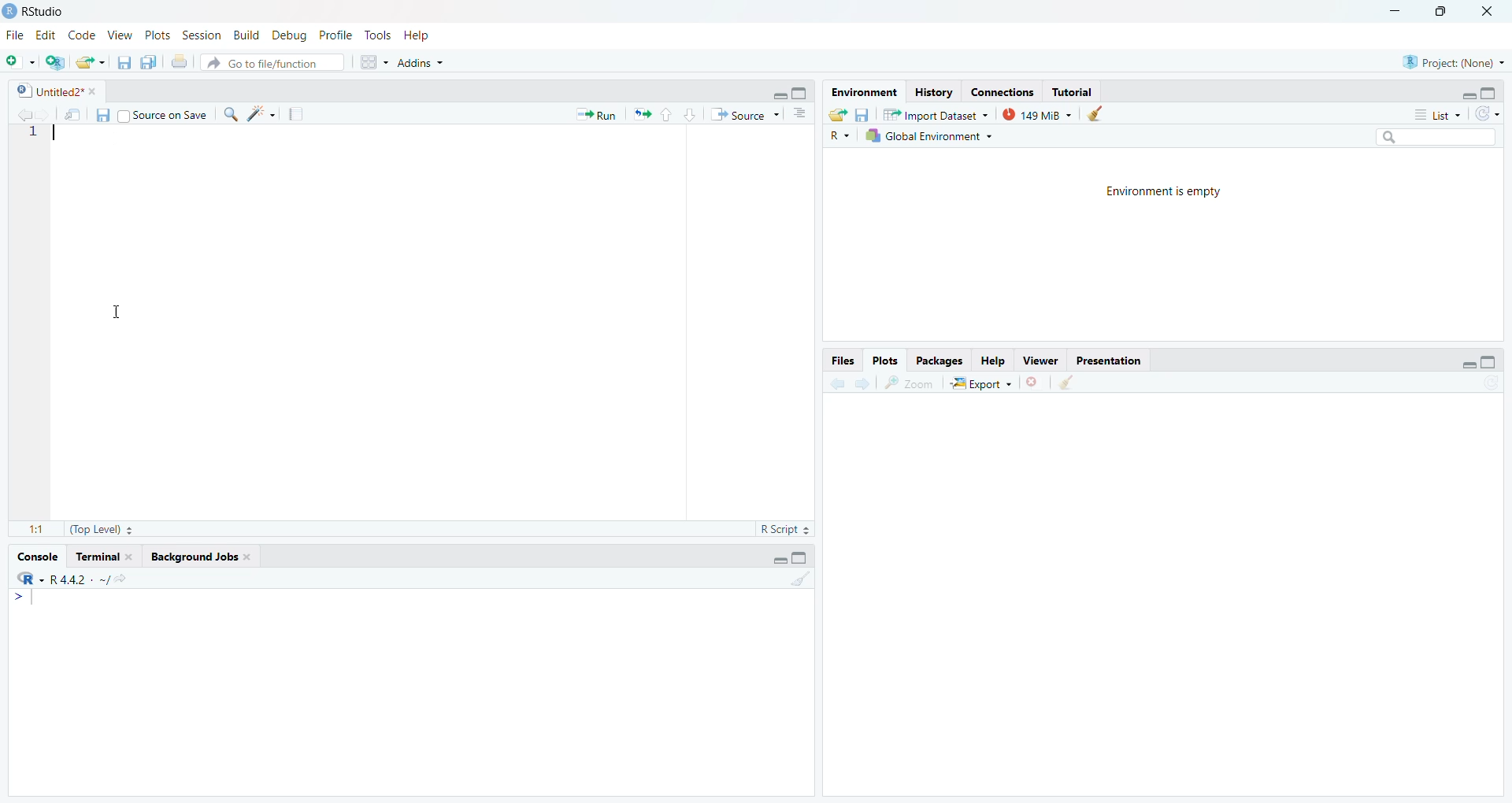 The width and height of the screenshot is (1512, 803). What do you see at coordinates (119, 36) in the screenshot?
I see `View` at bounding box center [119, 36].